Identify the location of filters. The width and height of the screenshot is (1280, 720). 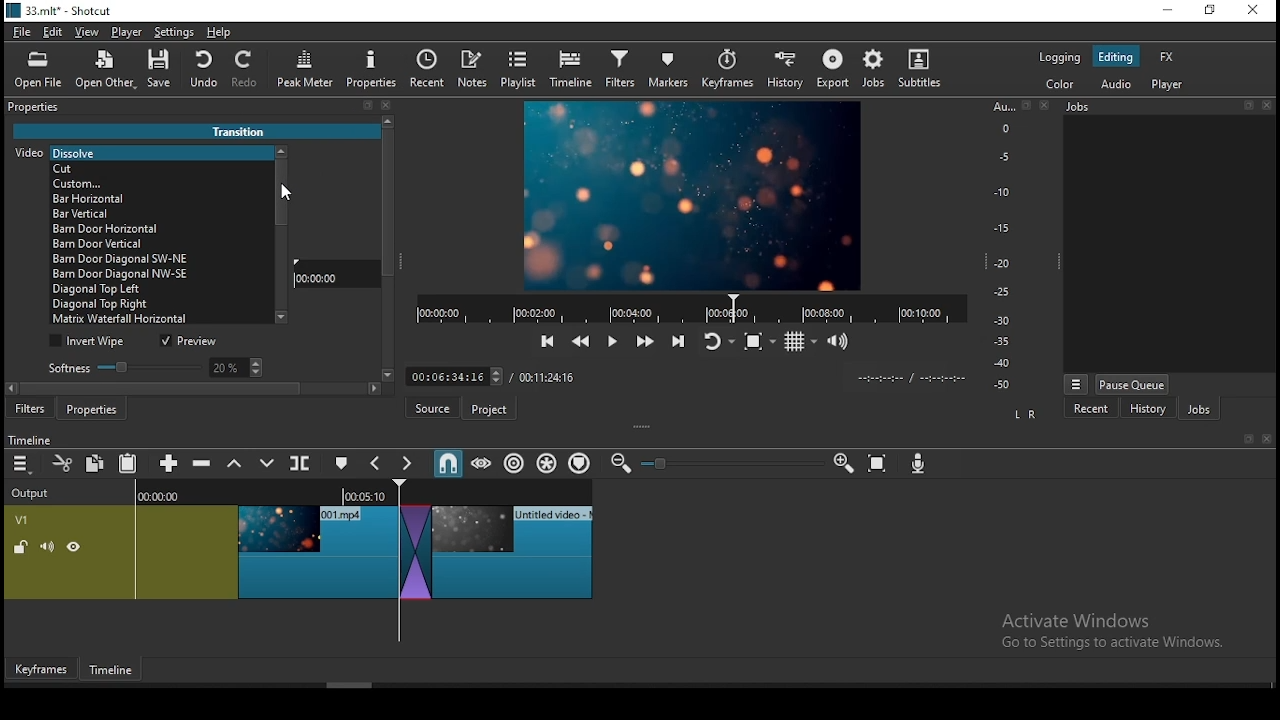
(31, 410).